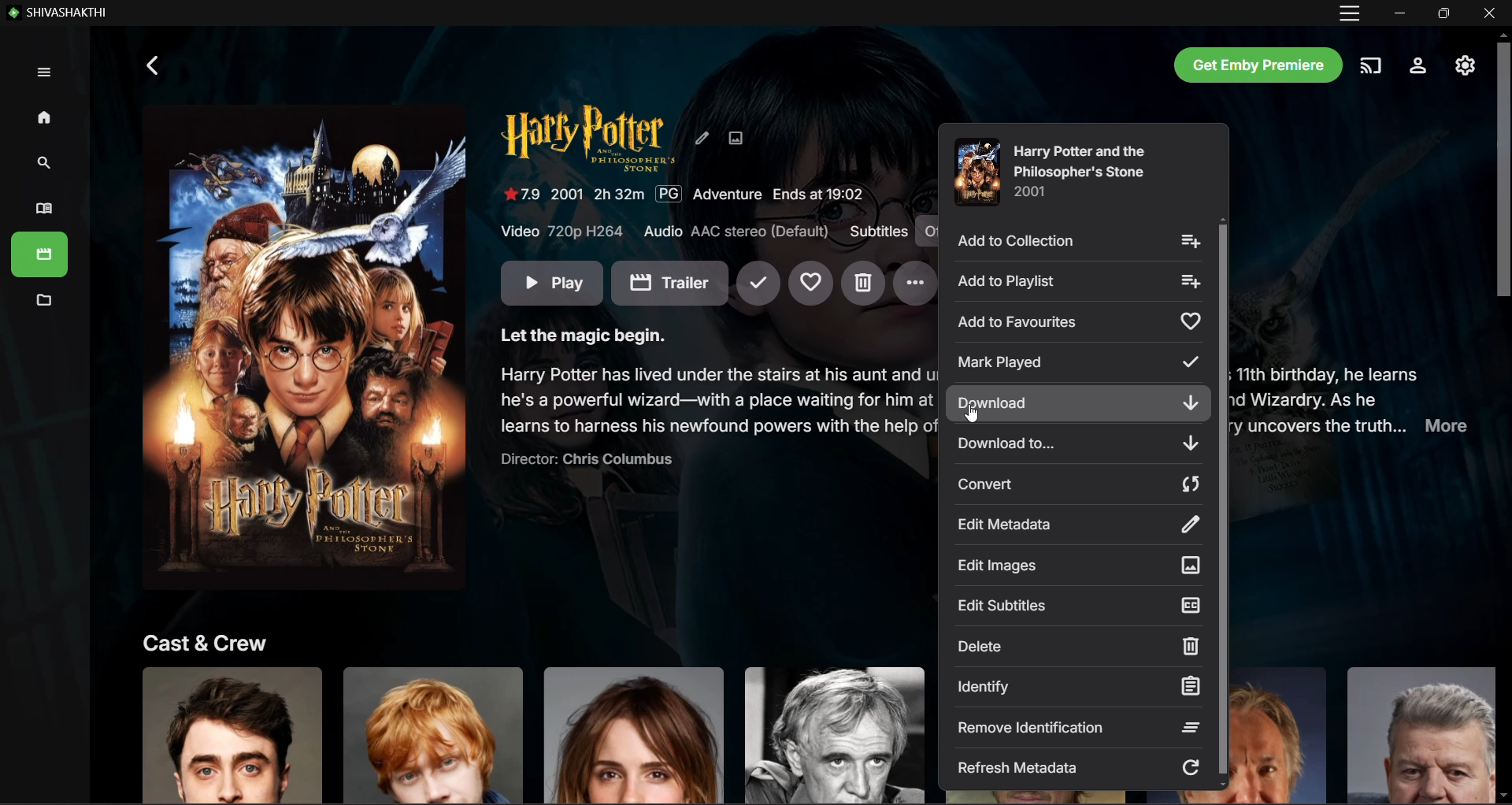 Image resolution: width=1512 pixels, height=805 pixels. Describe the element at coordinates (1079, 280) in the screenshot. I see `Add to Playlist` at that location.